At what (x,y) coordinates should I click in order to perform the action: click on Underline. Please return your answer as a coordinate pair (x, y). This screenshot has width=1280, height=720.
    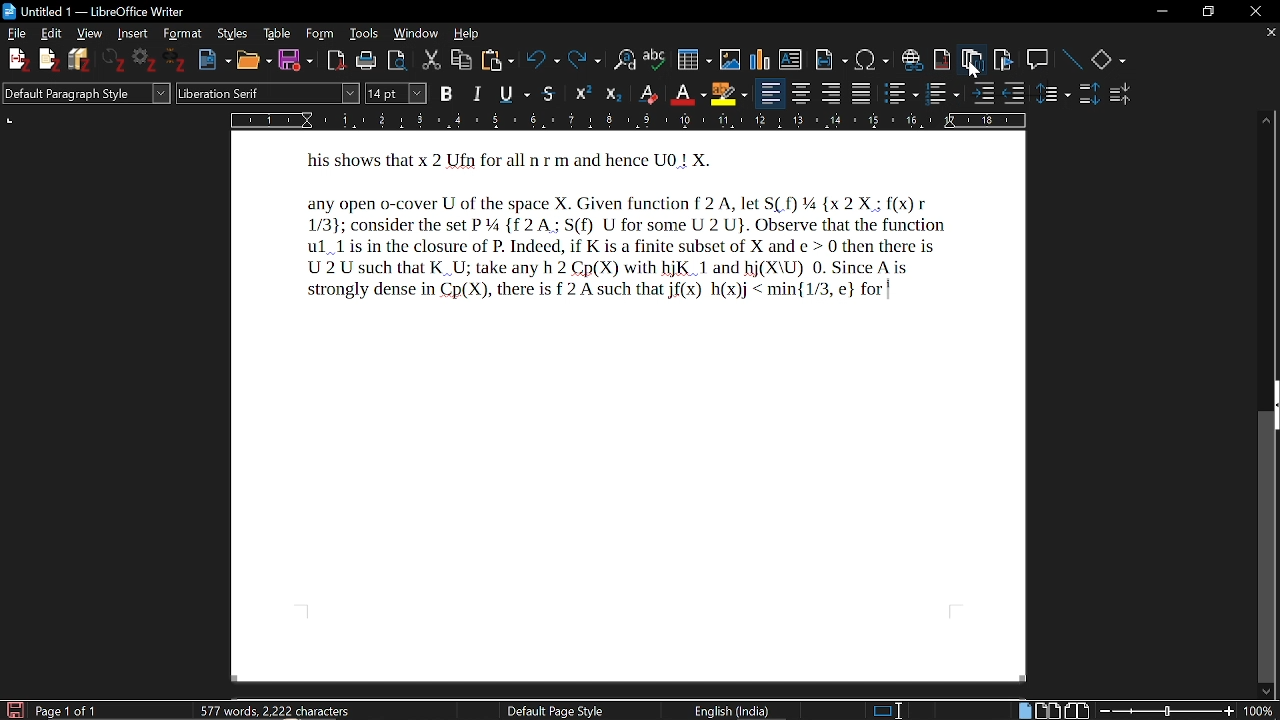
    Looking at the image, I should click on (517, 93).